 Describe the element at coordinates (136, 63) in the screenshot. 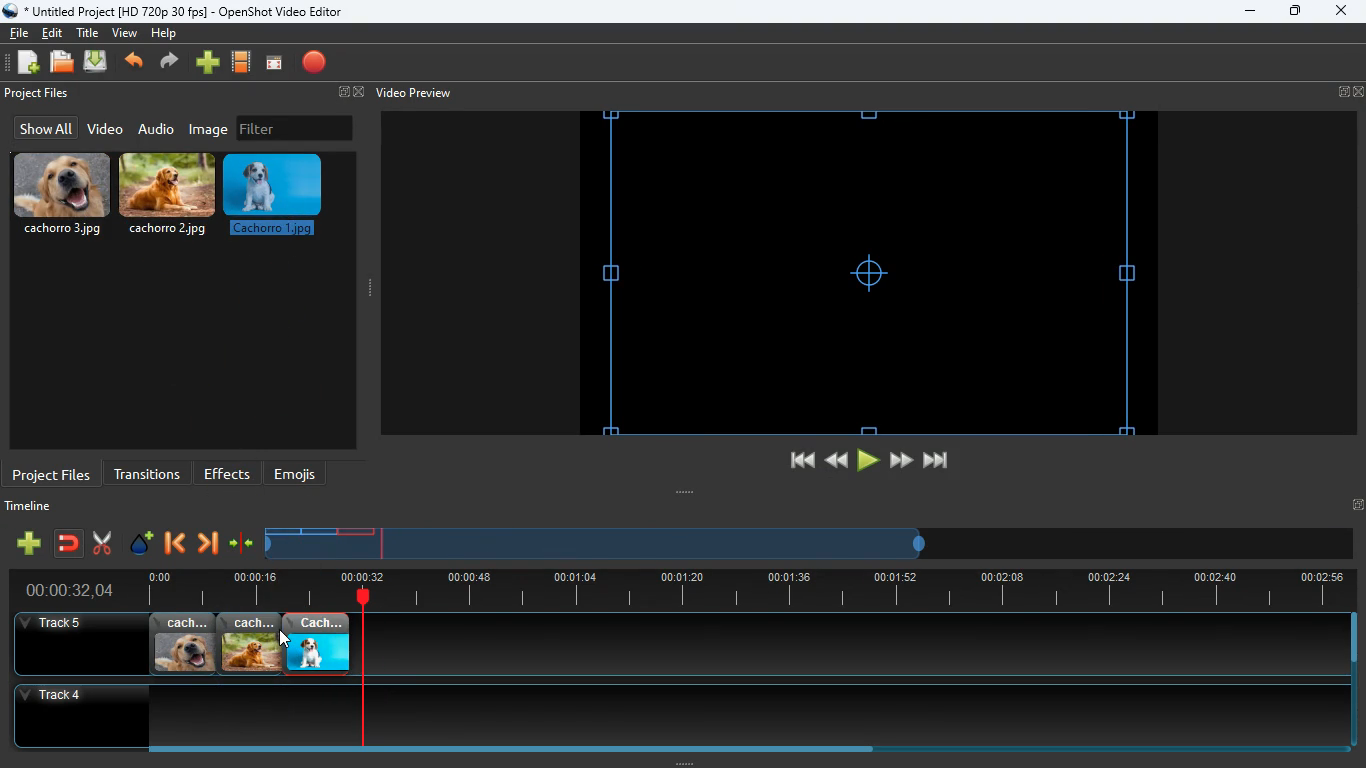

I see `back` at that location.